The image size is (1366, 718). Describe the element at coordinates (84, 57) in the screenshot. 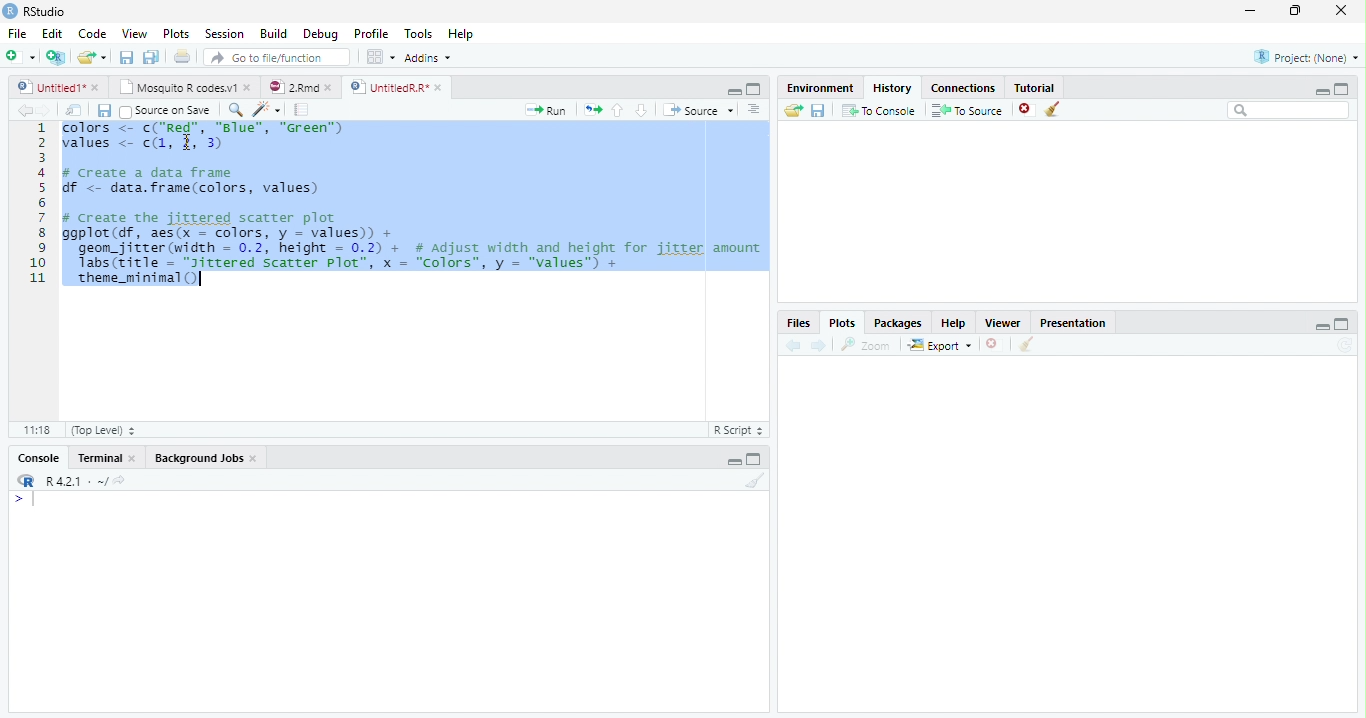

I see `Open an existing file` at that location.